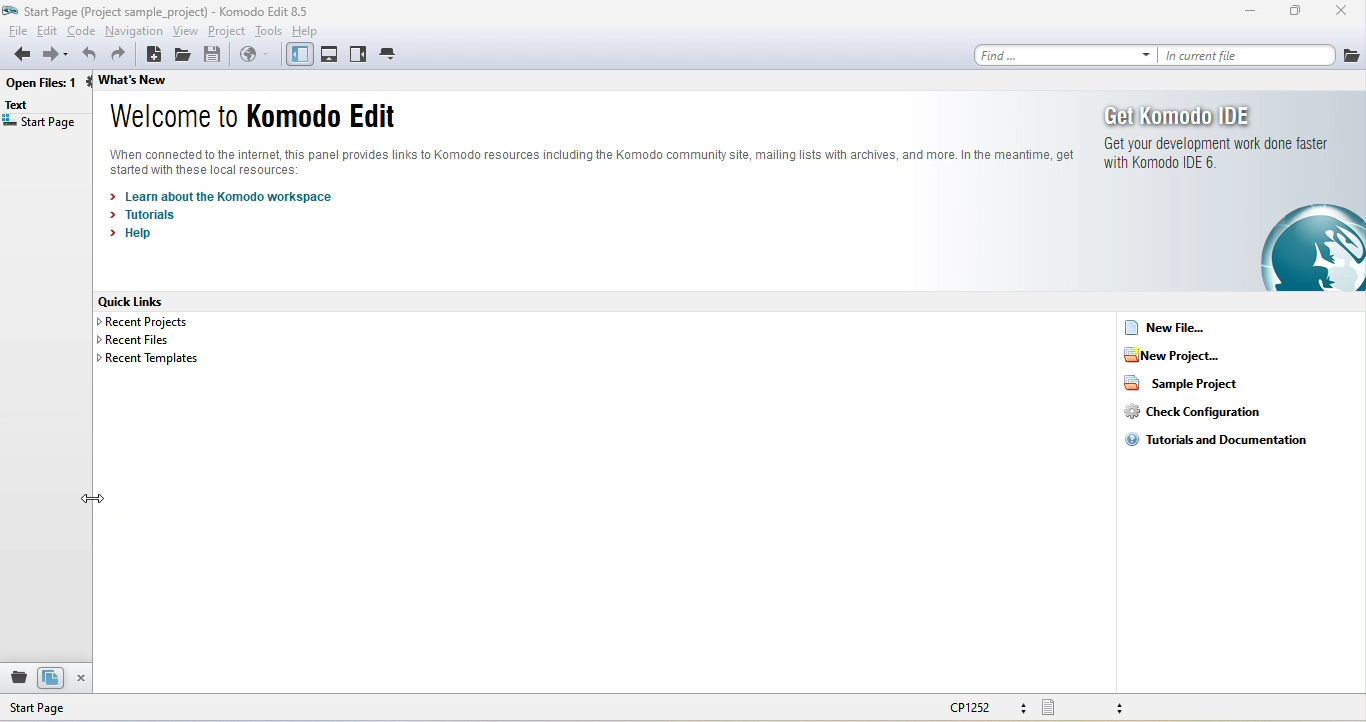 The height and width of the screenshot is (722, 1366). I want to click on tools, so click(269, 30).